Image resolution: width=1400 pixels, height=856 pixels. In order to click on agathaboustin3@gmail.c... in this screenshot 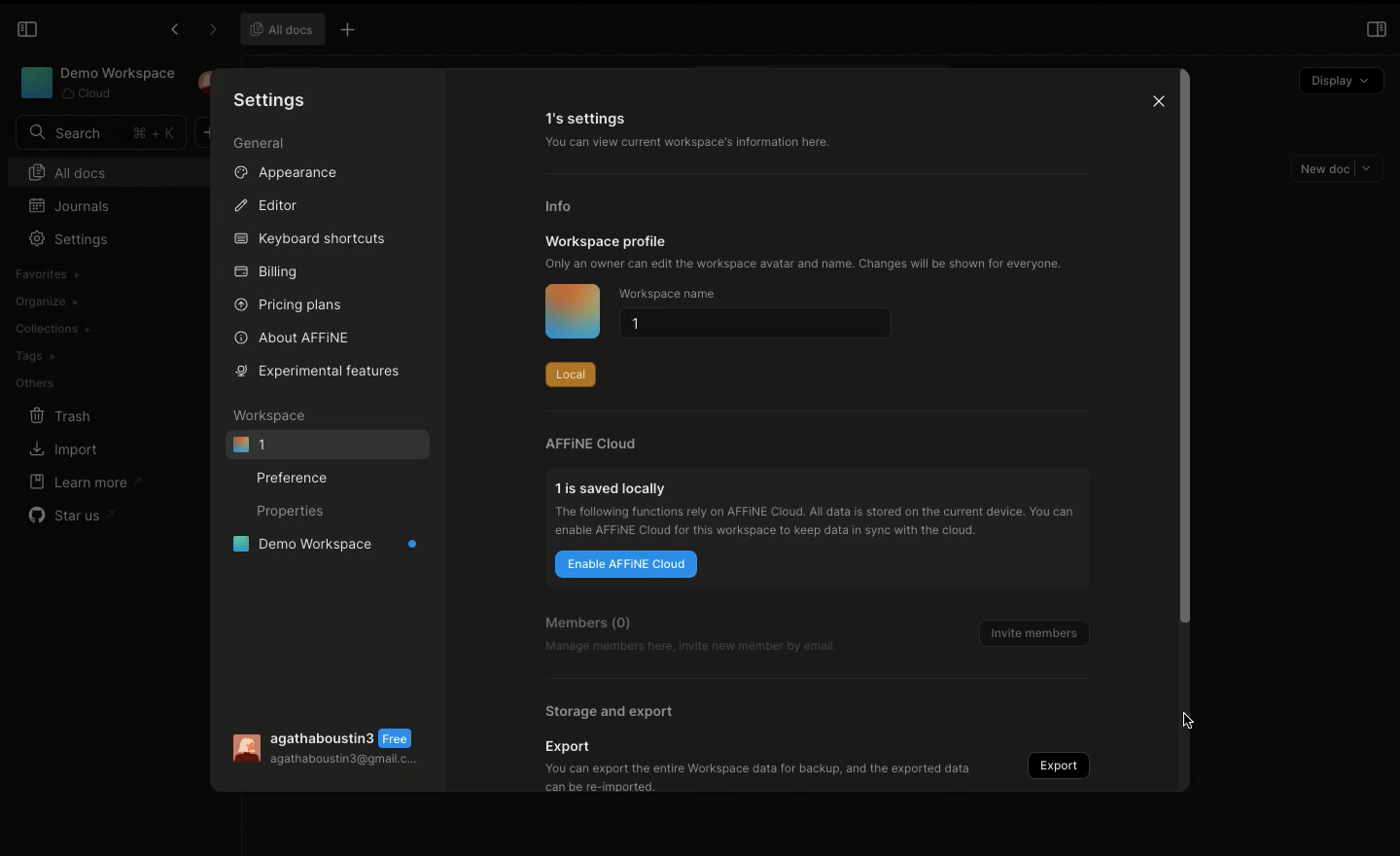, I will do `click(345, 763)`.